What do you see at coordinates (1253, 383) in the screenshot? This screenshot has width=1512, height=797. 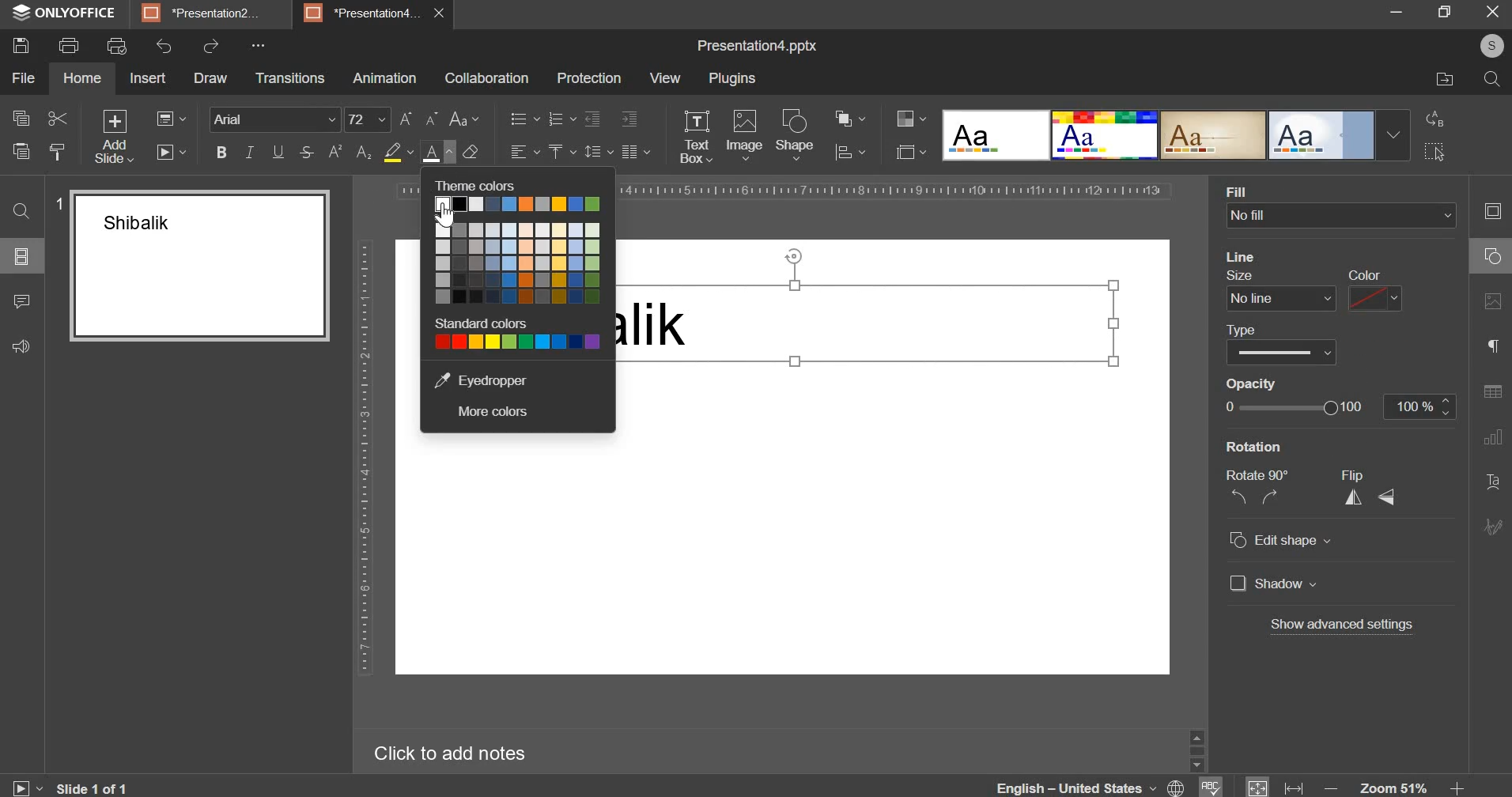 I see `opacity` at bounding box center [1253, 383].